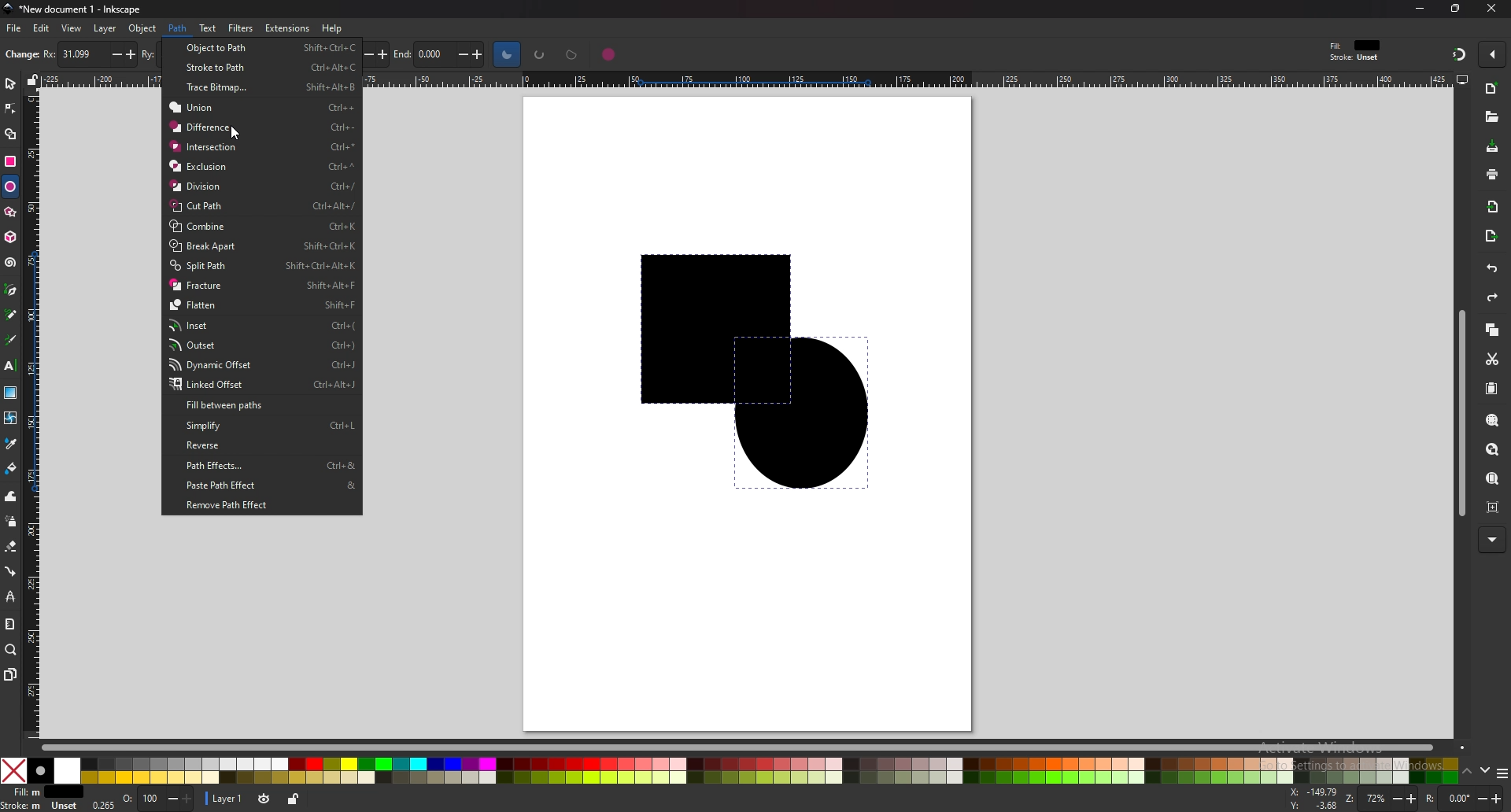 The image size is (1511, 812). What do you see at coordinates (286, 28) in the screenshot?
I see `extensions` at bounding box center [286, 28].